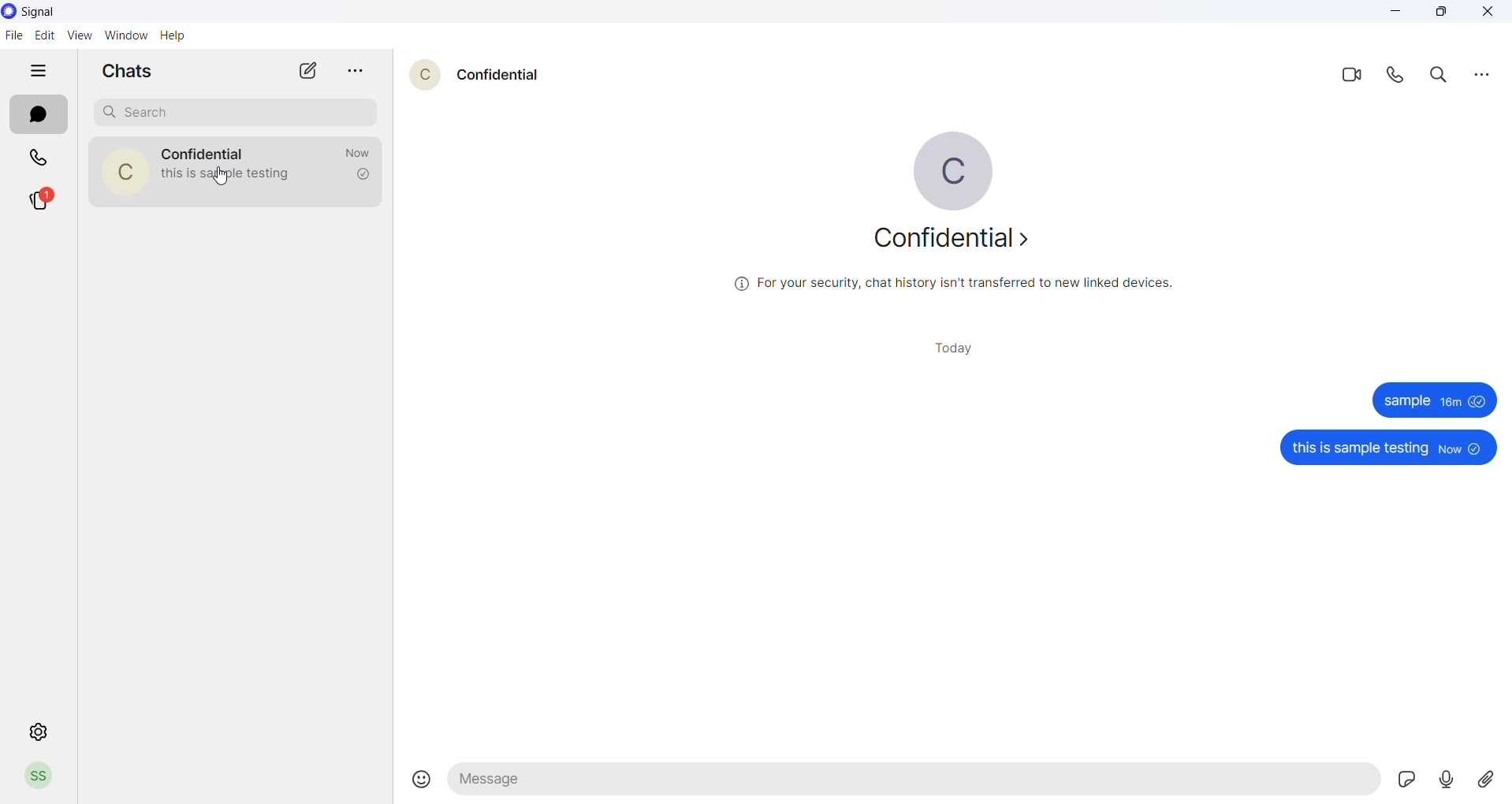 Image resolution: width=1512 pixels, height=804 pixels. What do you see at coordinates (77, 35) in the screenshot?
I see `view` at bounding box center [77, 35].